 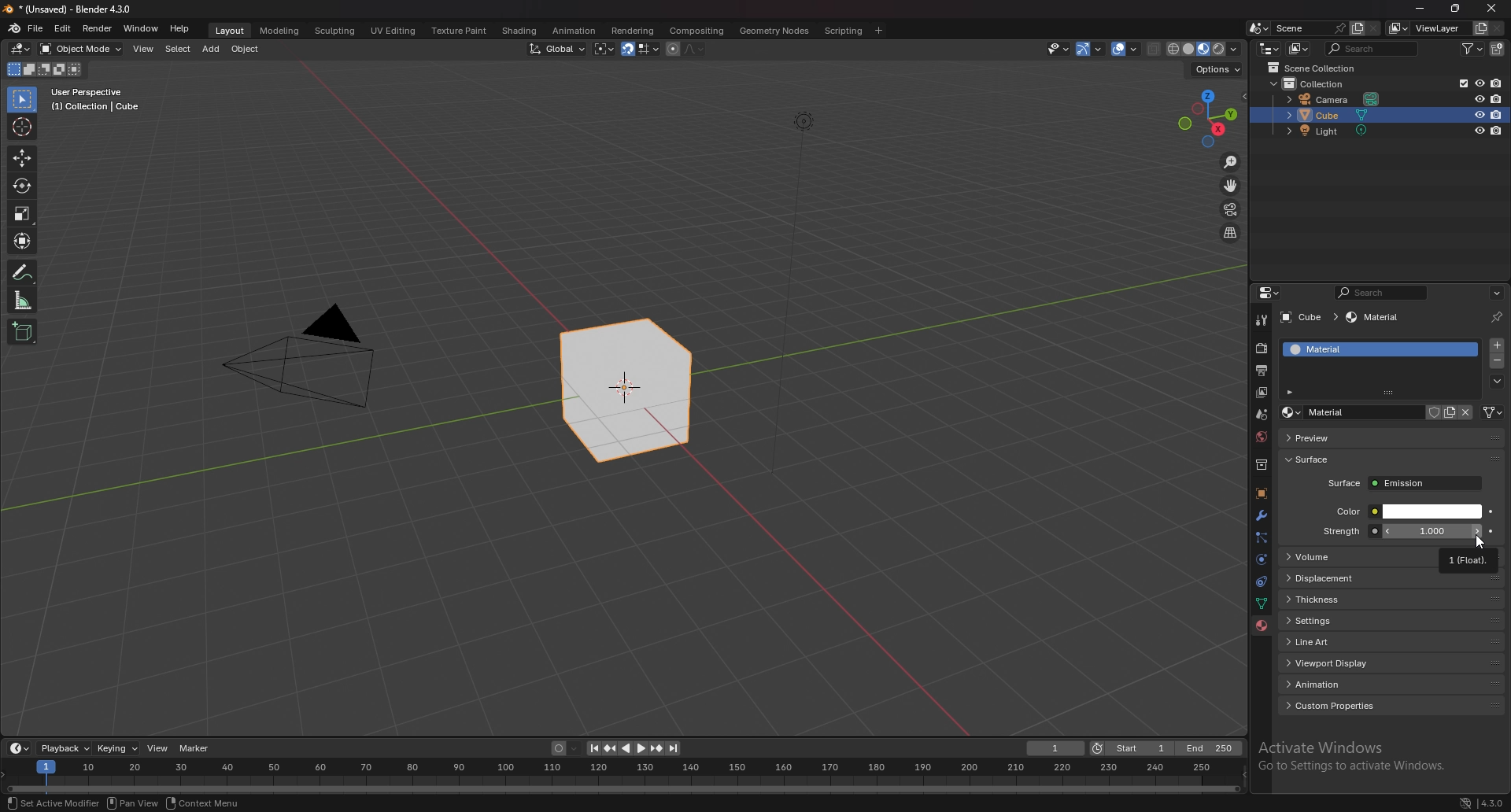 What do you see at coordinates (1261, 515) in the screenshot?
I see `modifier` at bounding box center [1261, 515].